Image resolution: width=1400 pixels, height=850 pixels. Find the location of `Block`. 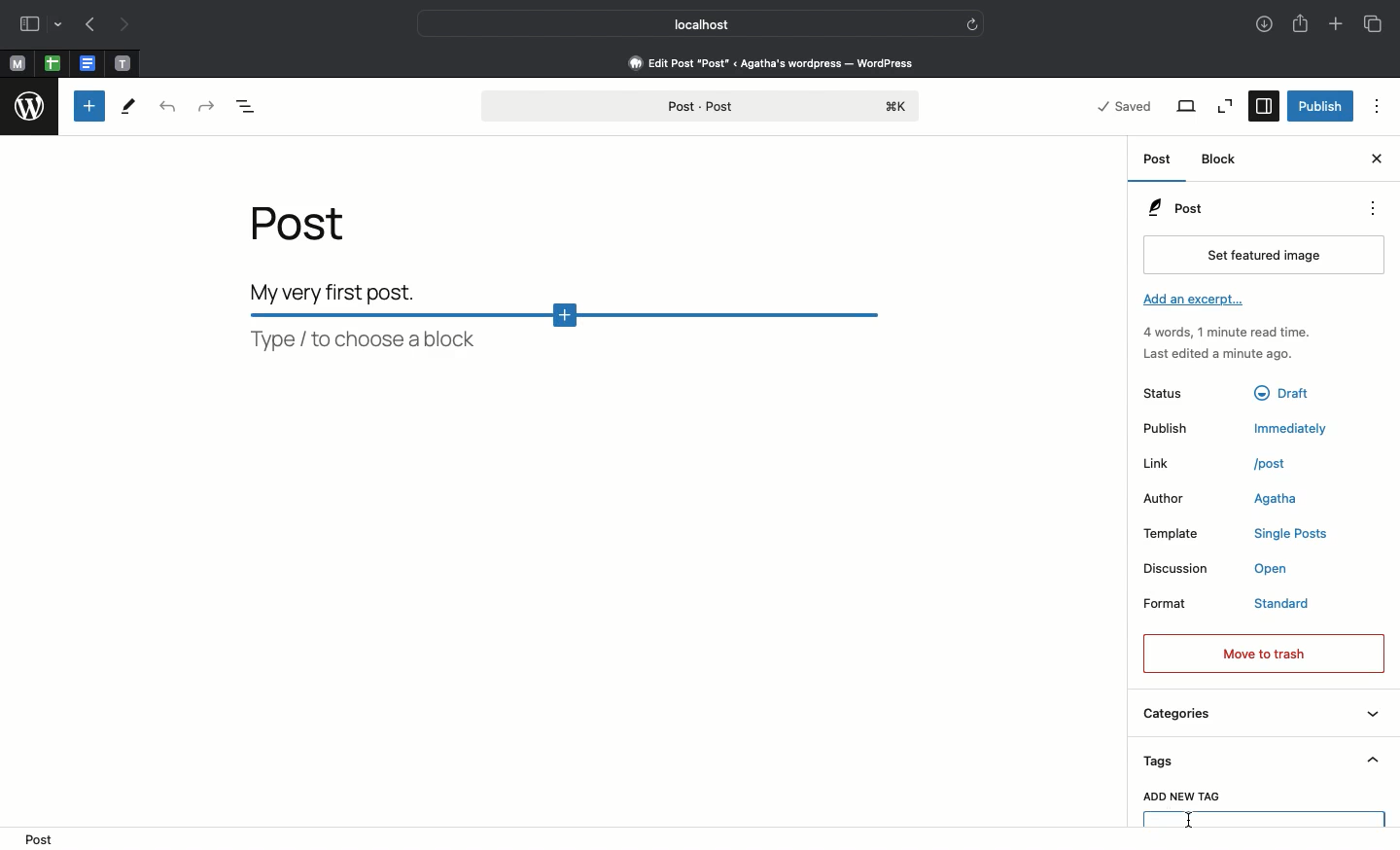

Block is located at coordinates (575, 332).